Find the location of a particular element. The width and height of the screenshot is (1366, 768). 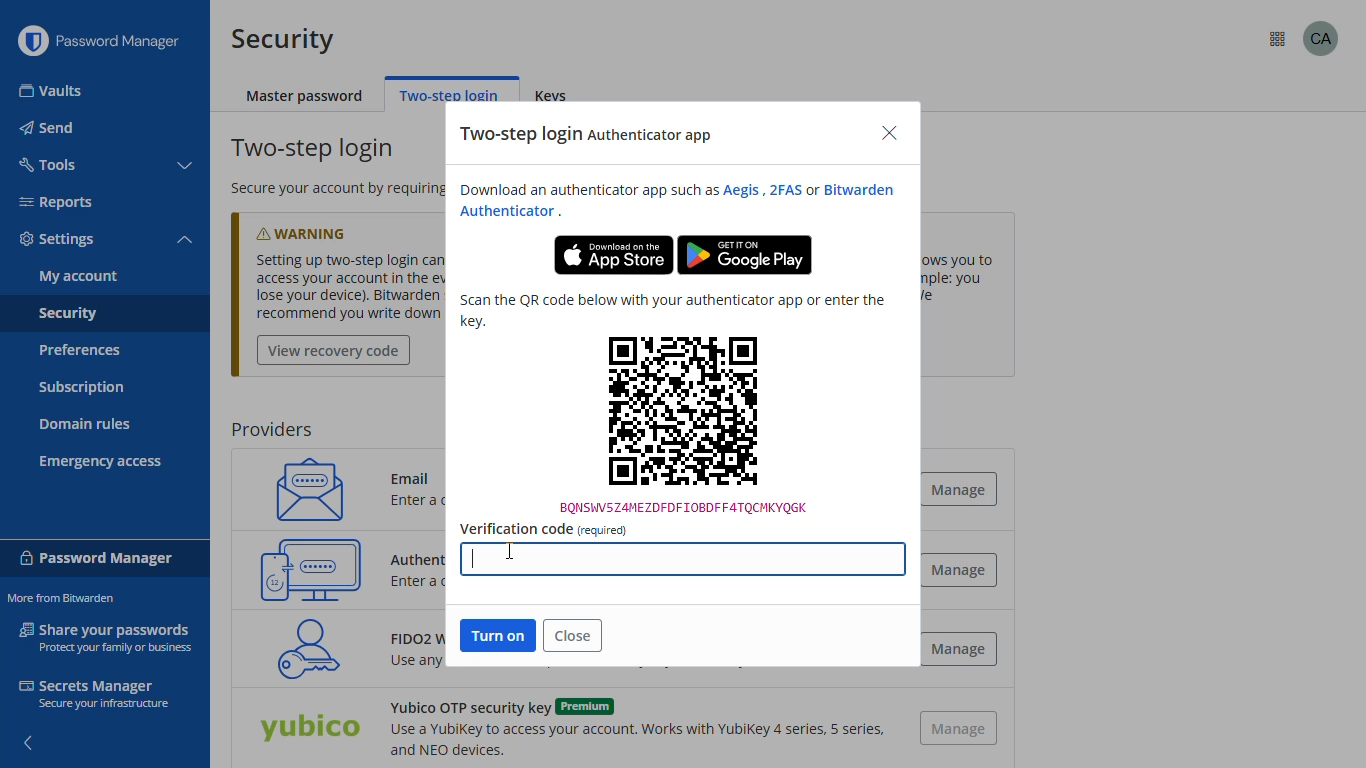

Yubico OTP security key (Premium) is located at coordinates (309, 730).